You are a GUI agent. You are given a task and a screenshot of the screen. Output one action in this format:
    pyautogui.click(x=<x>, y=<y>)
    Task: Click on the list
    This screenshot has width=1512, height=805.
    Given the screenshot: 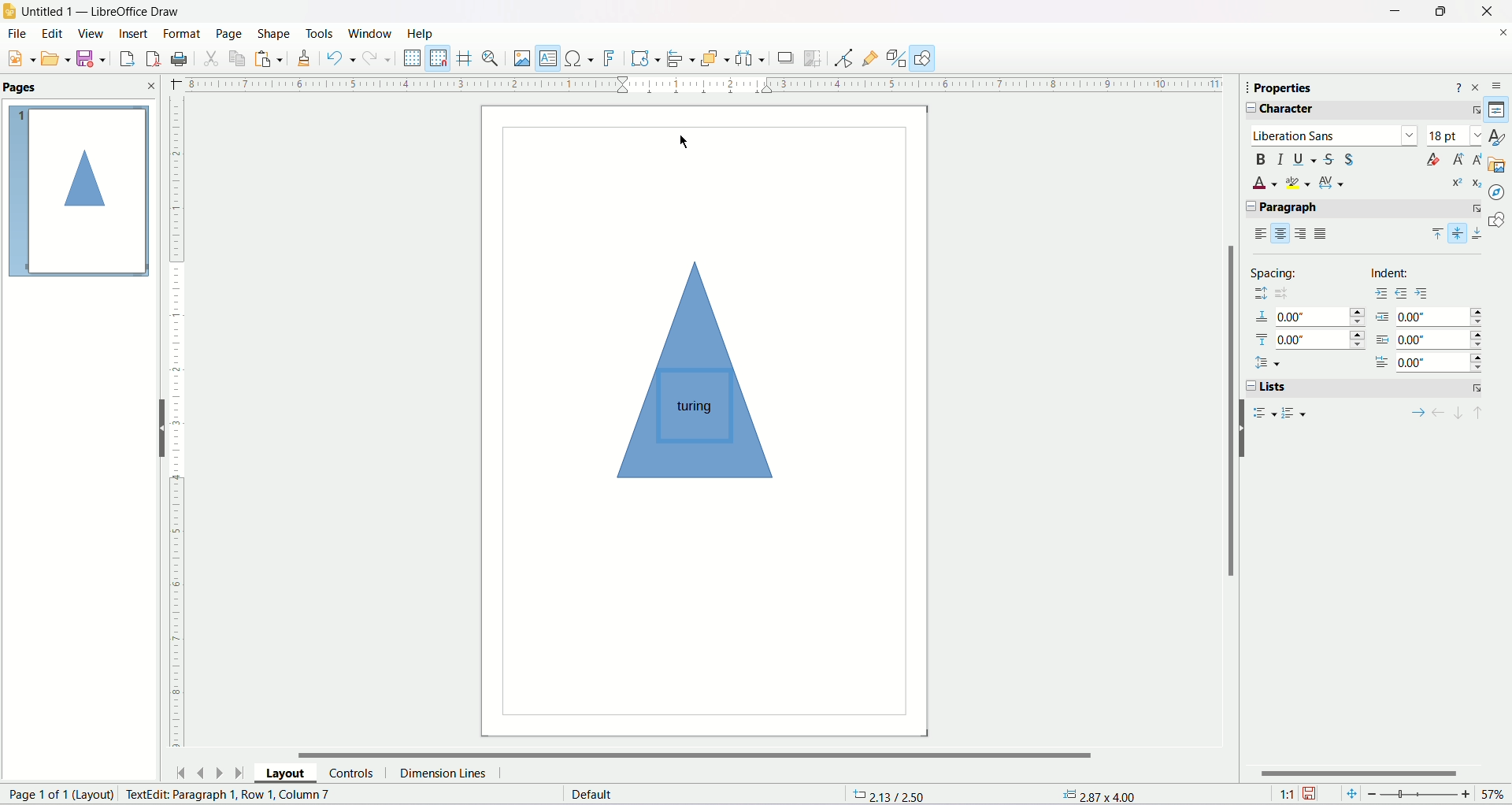 What is the action you would take?
    pyautogui.click(x=1366, y=388)
    